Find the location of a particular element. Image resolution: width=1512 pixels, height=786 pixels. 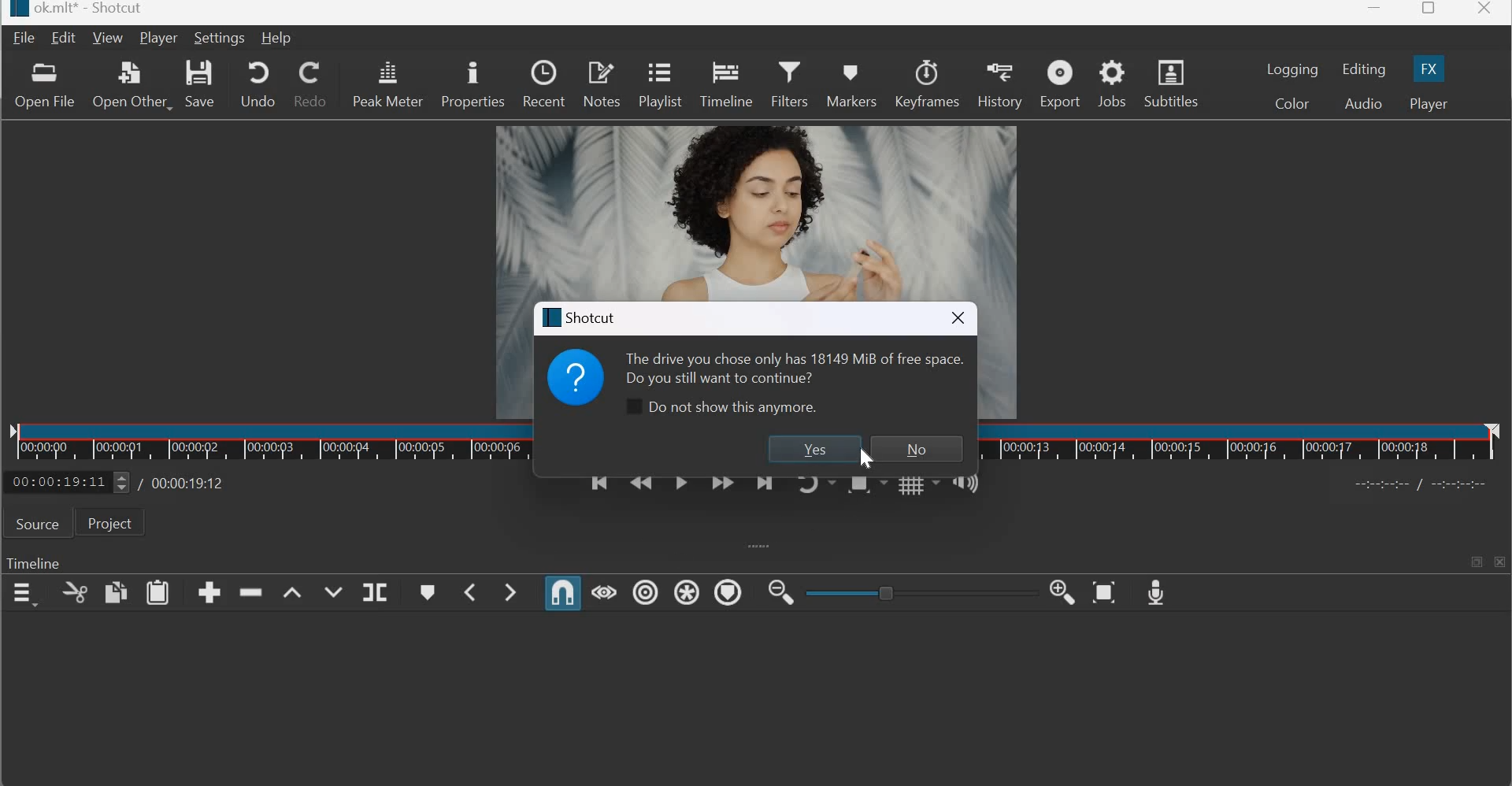

Zoom Timeline out is located at coordinates (780, 591).